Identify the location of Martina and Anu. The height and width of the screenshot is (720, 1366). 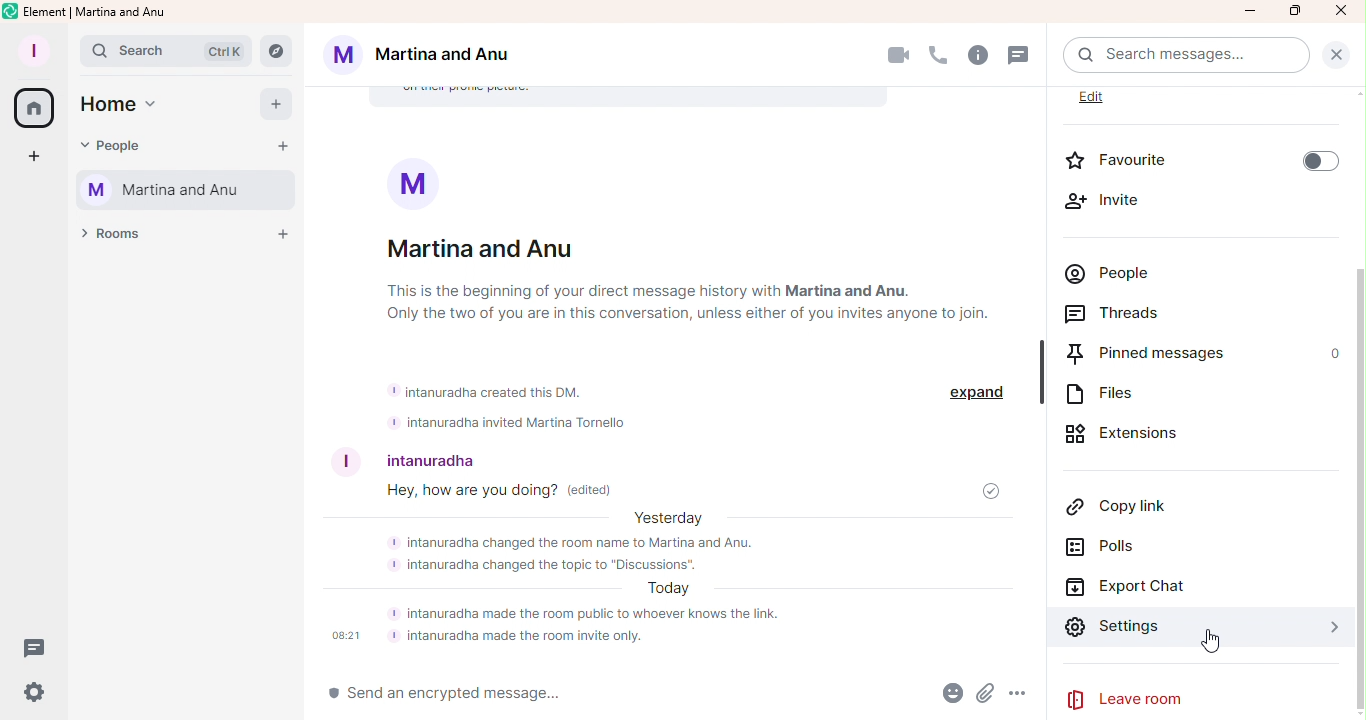
(187, 190).